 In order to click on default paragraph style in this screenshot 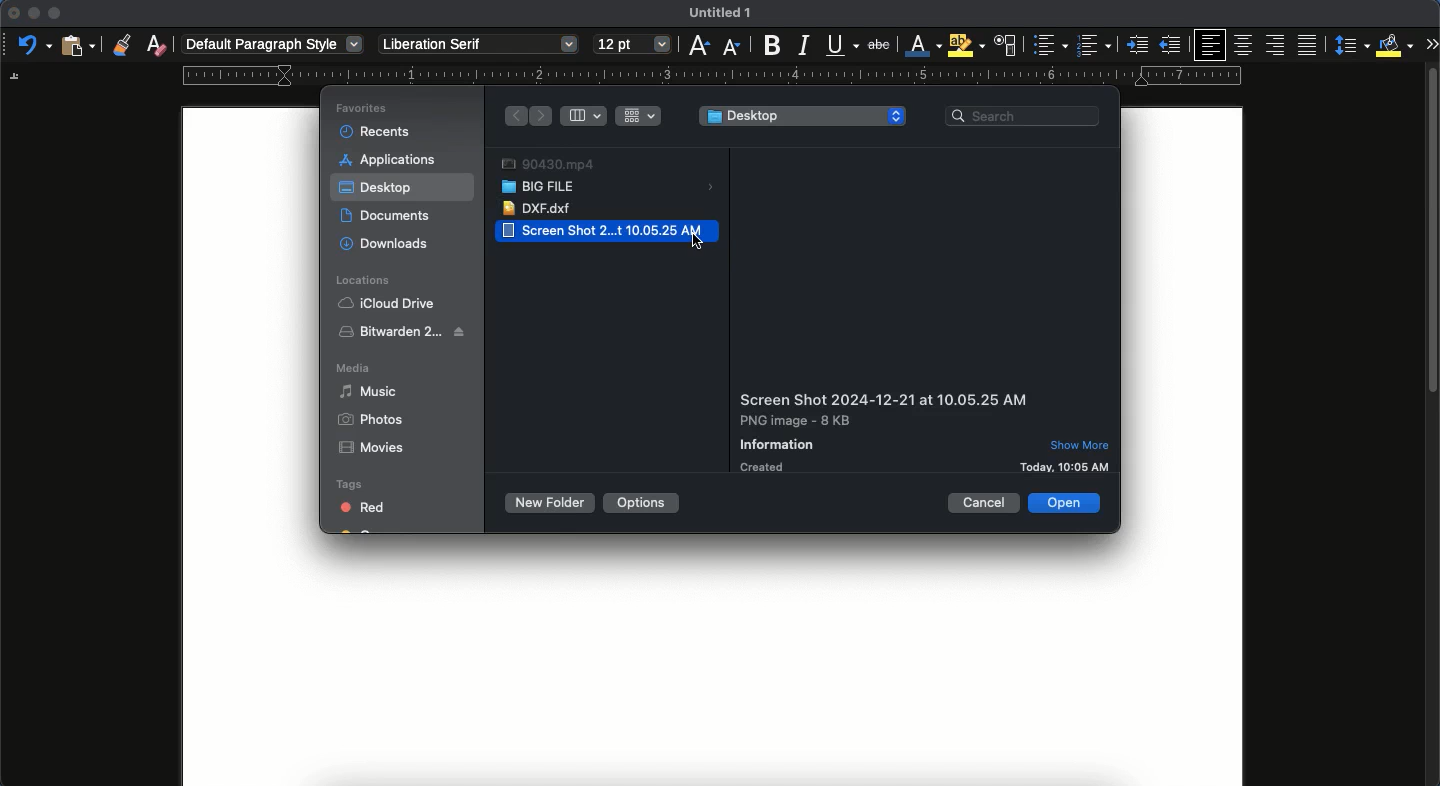, I will do `click(273, 43)`.